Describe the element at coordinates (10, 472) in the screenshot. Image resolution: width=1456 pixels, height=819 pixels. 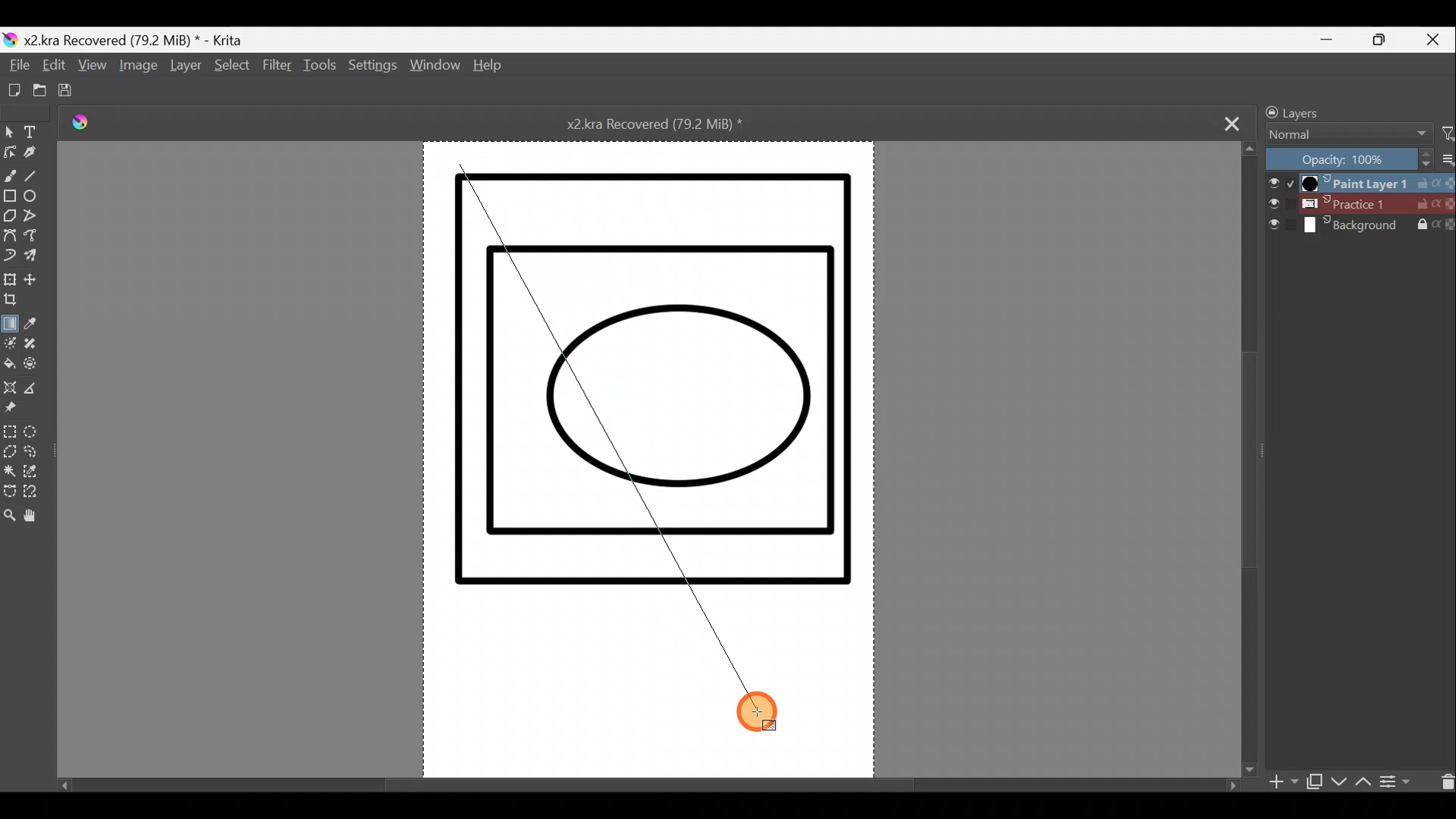
I see `Contiguous selection tool` at that location.